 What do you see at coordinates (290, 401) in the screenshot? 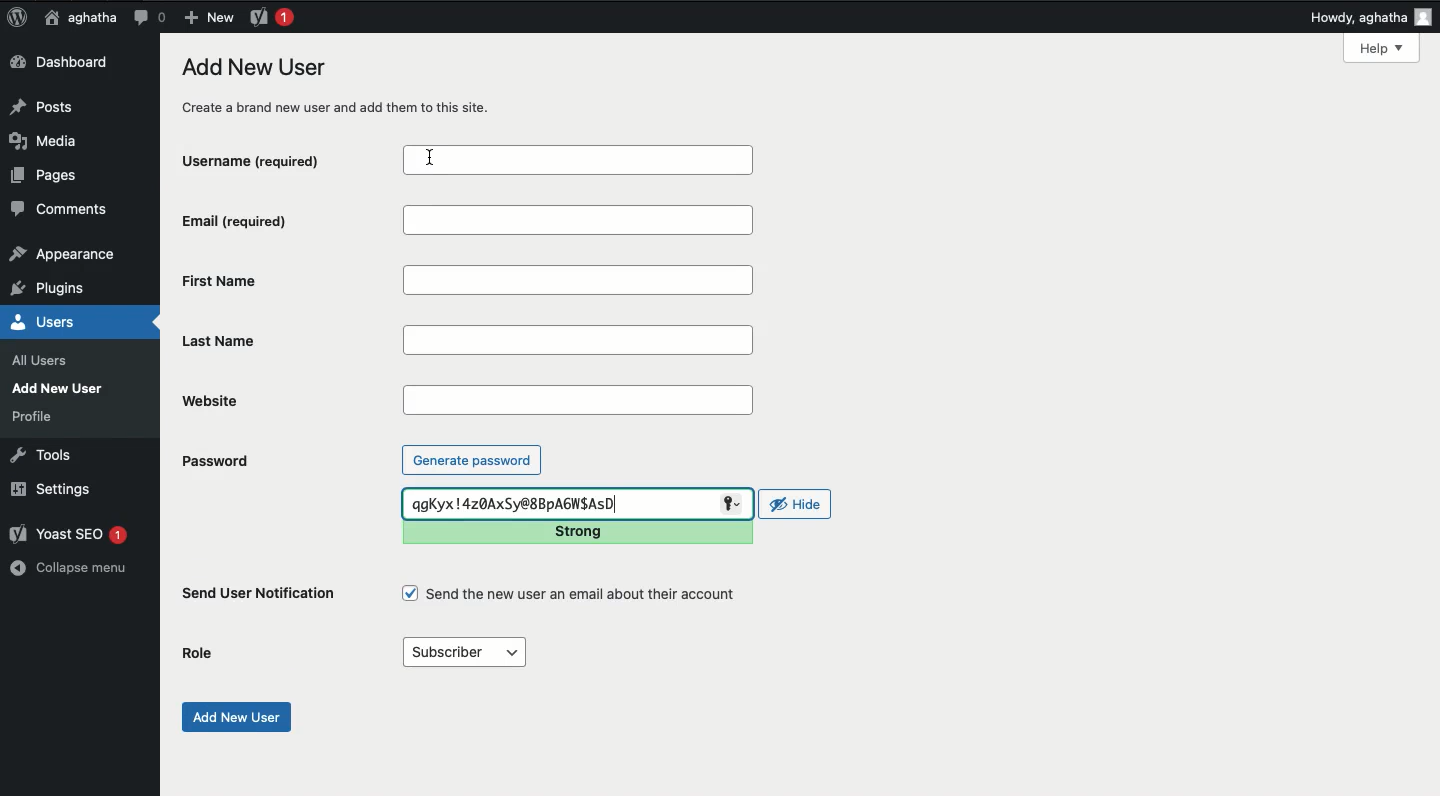
I see `Website` at bounding box center [290, 401].